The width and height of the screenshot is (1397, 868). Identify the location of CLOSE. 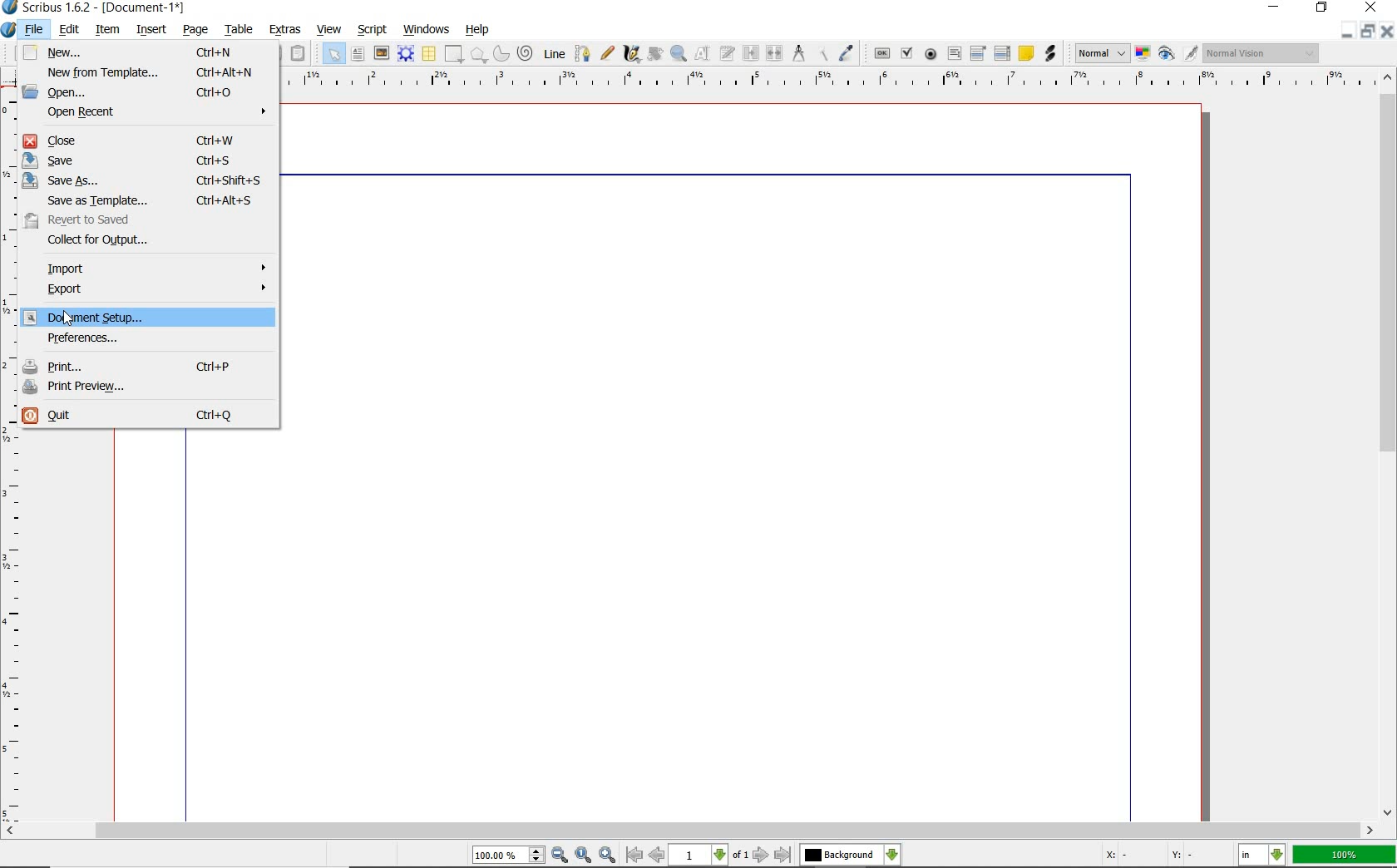
(151, 141).